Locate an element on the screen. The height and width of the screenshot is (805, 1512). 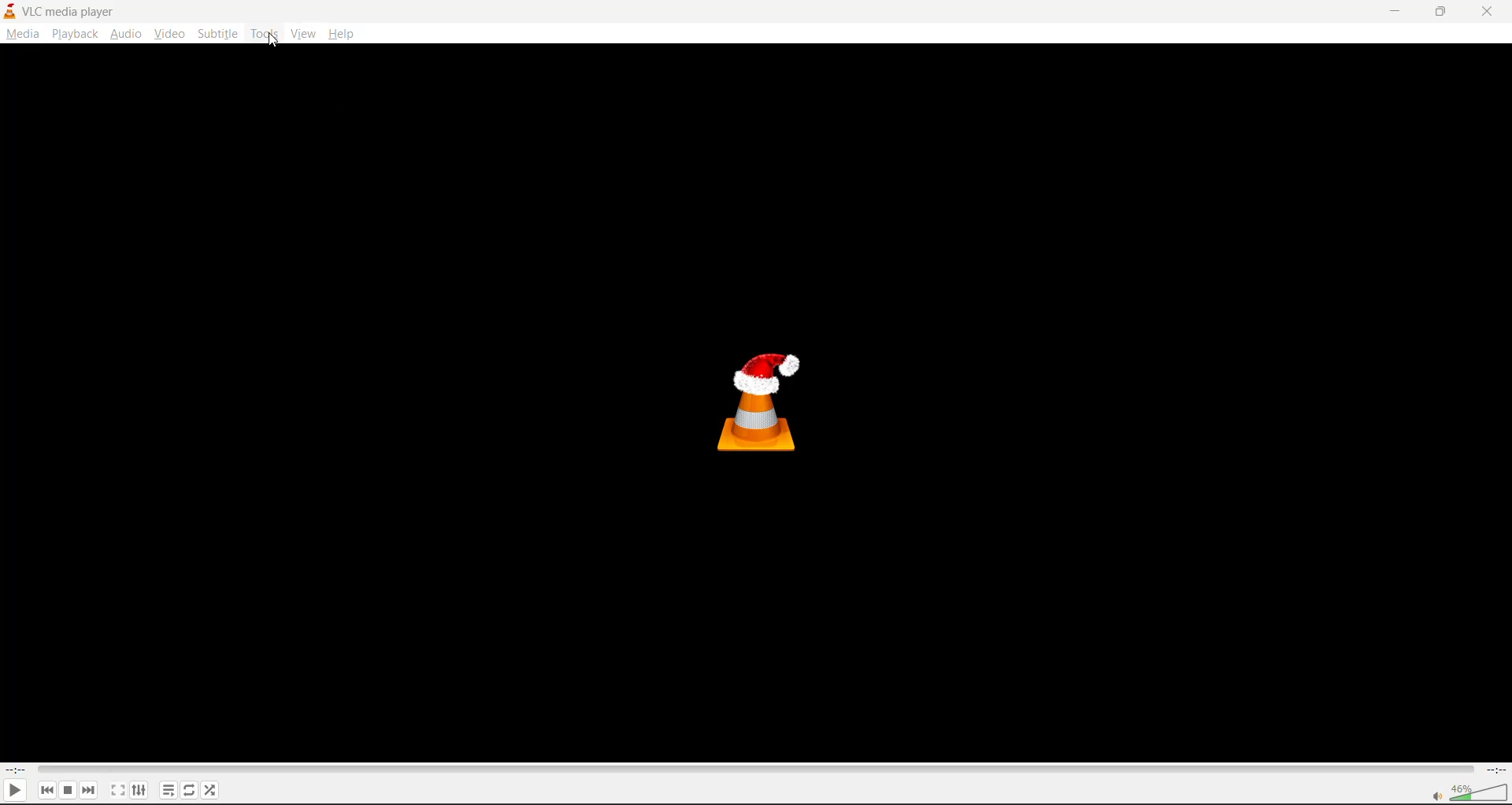
fullscreen is located at coordinates (116, 789).